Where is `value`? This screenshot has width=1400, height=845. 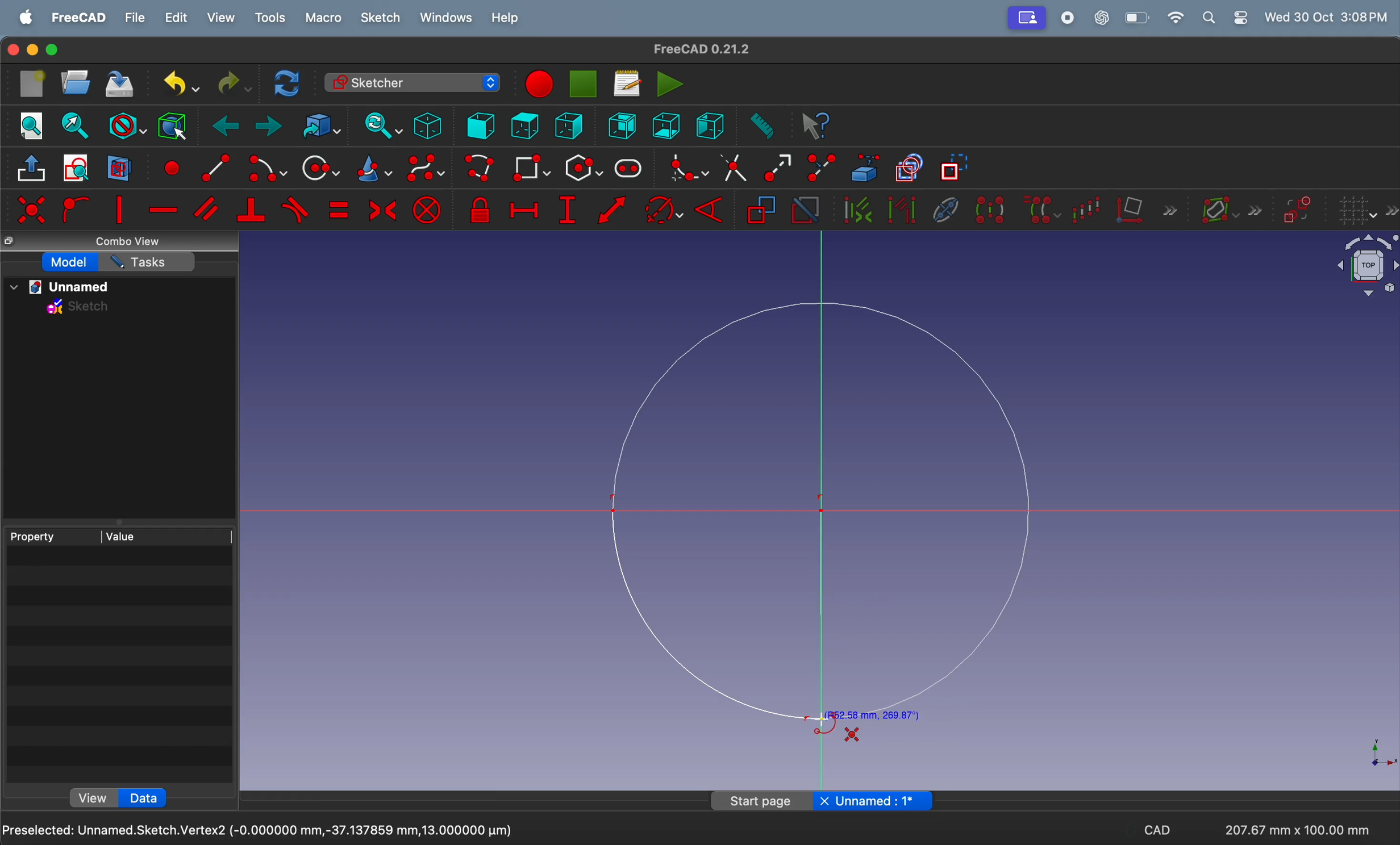
value is located at coordinates (168, 535).